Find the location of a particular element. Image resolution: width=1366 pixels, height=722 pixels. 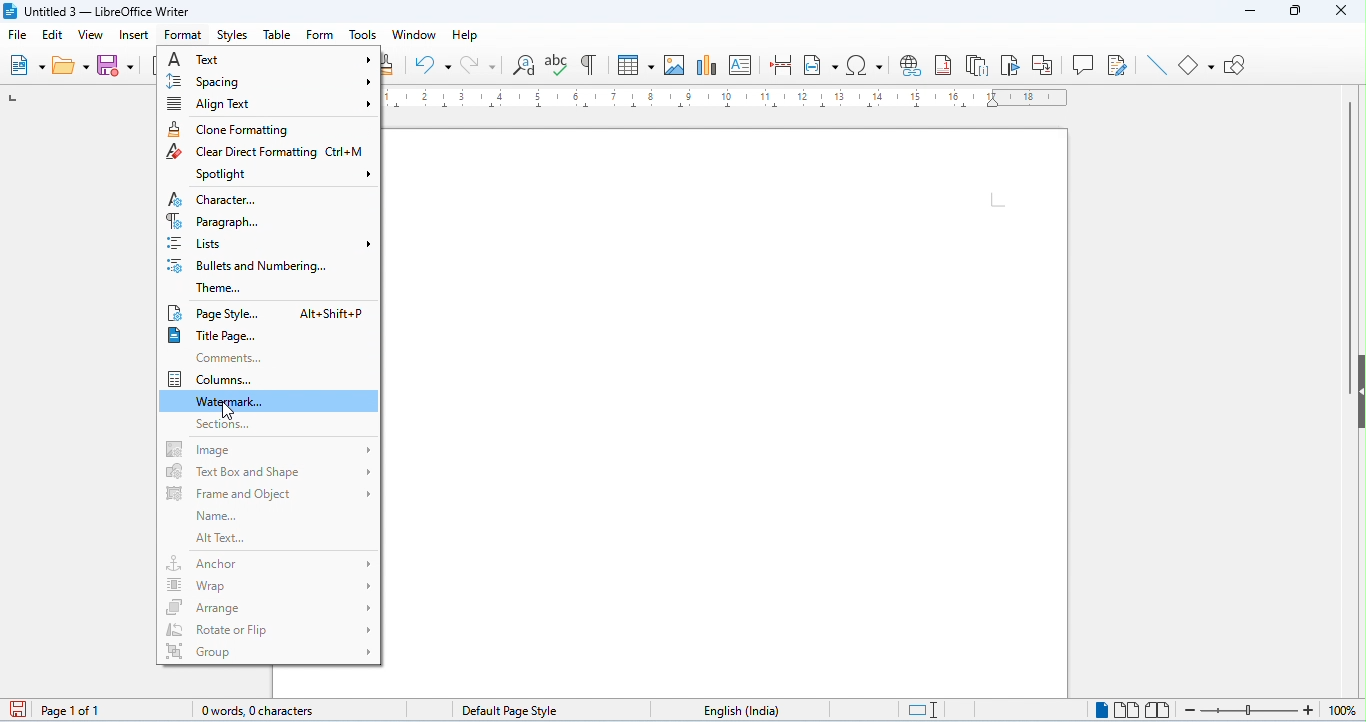

wrap is located at coordinates (269, 587).